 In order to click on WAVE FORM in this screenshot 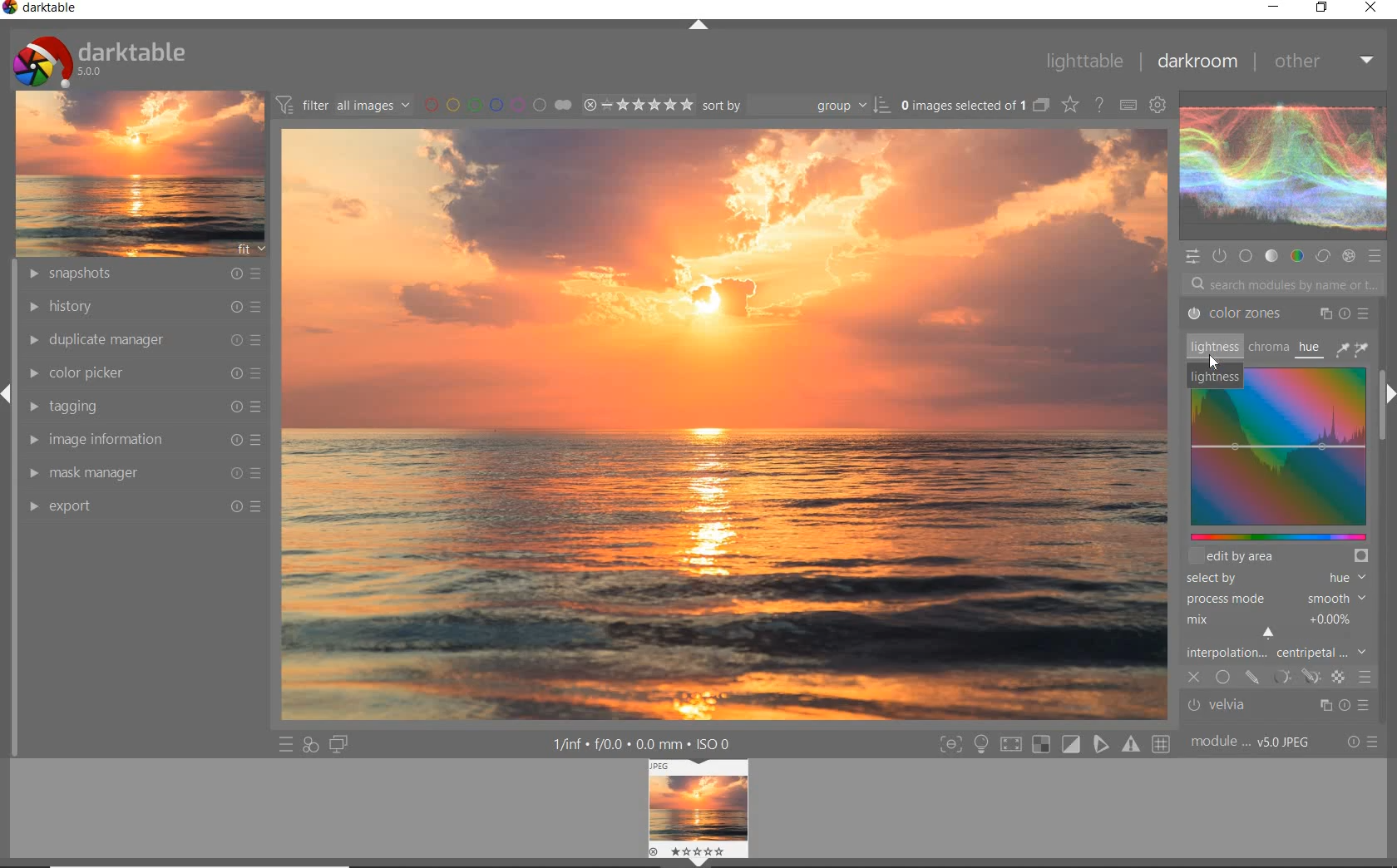, I will do `click(1281, 168)`.